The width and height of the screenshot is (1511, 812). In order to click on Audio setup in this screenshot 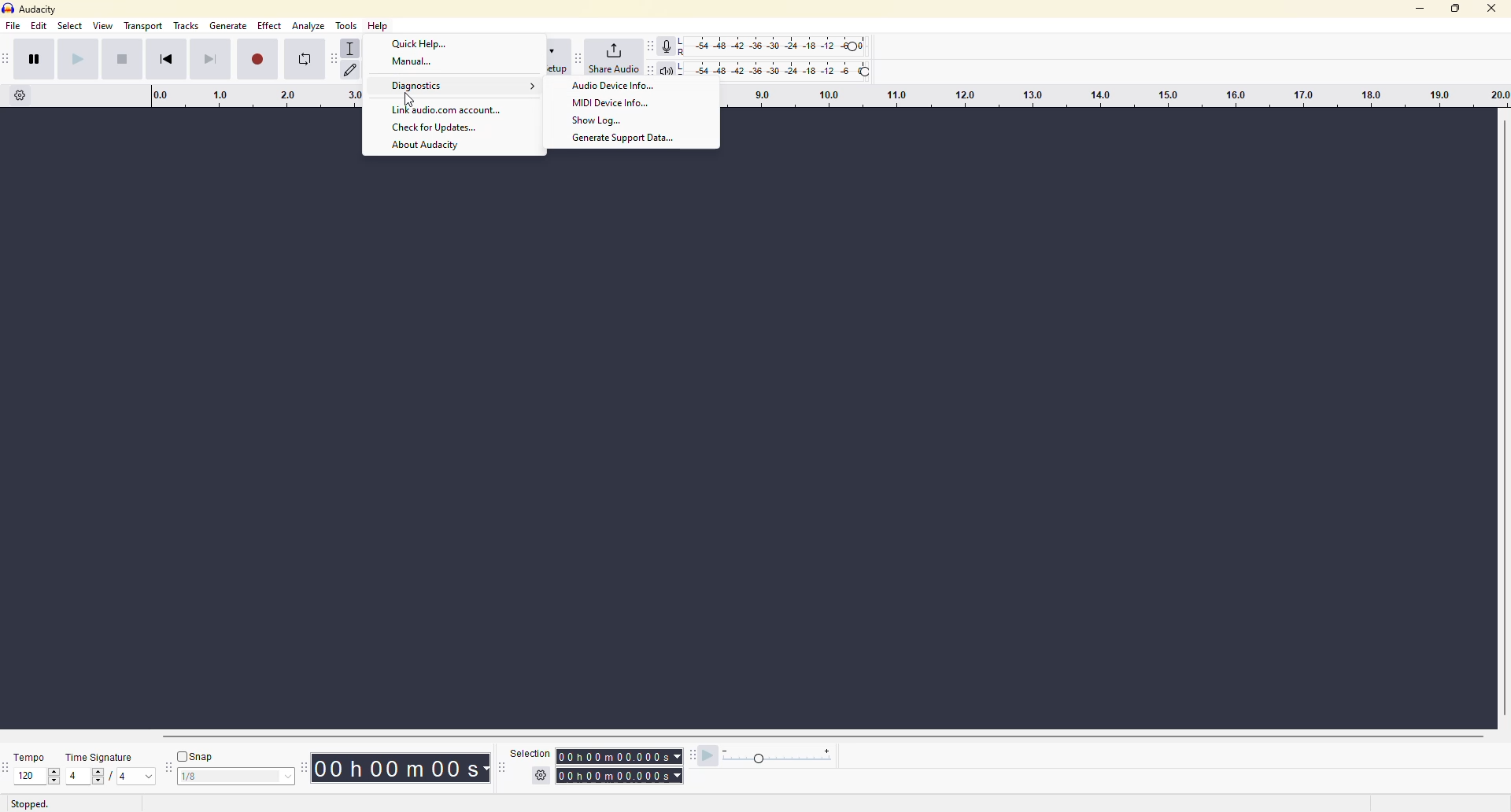, I will do `click(556, 57)`.